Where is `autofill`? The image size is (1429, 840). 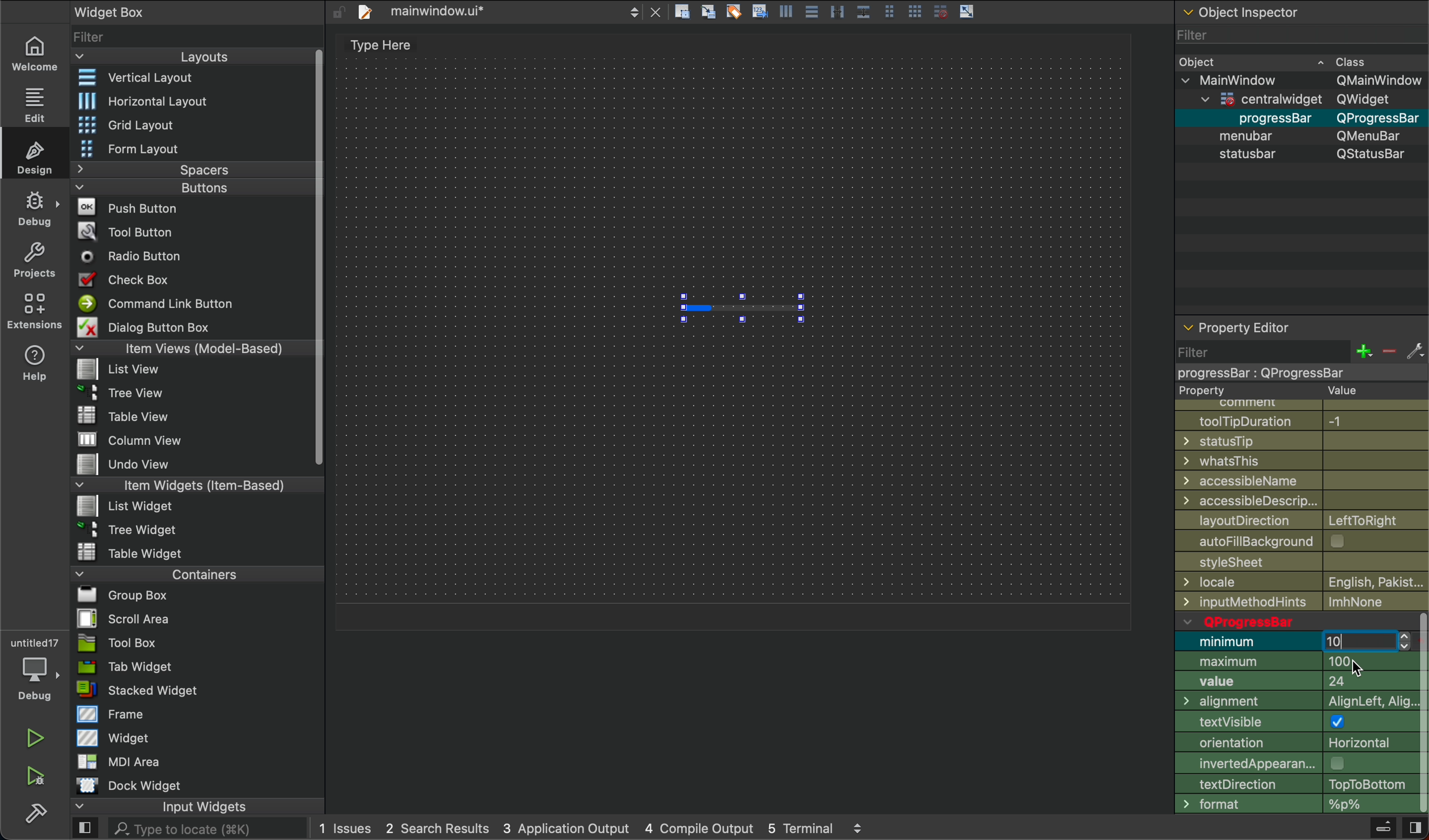 autofill is located at coordinates (1307, 542).